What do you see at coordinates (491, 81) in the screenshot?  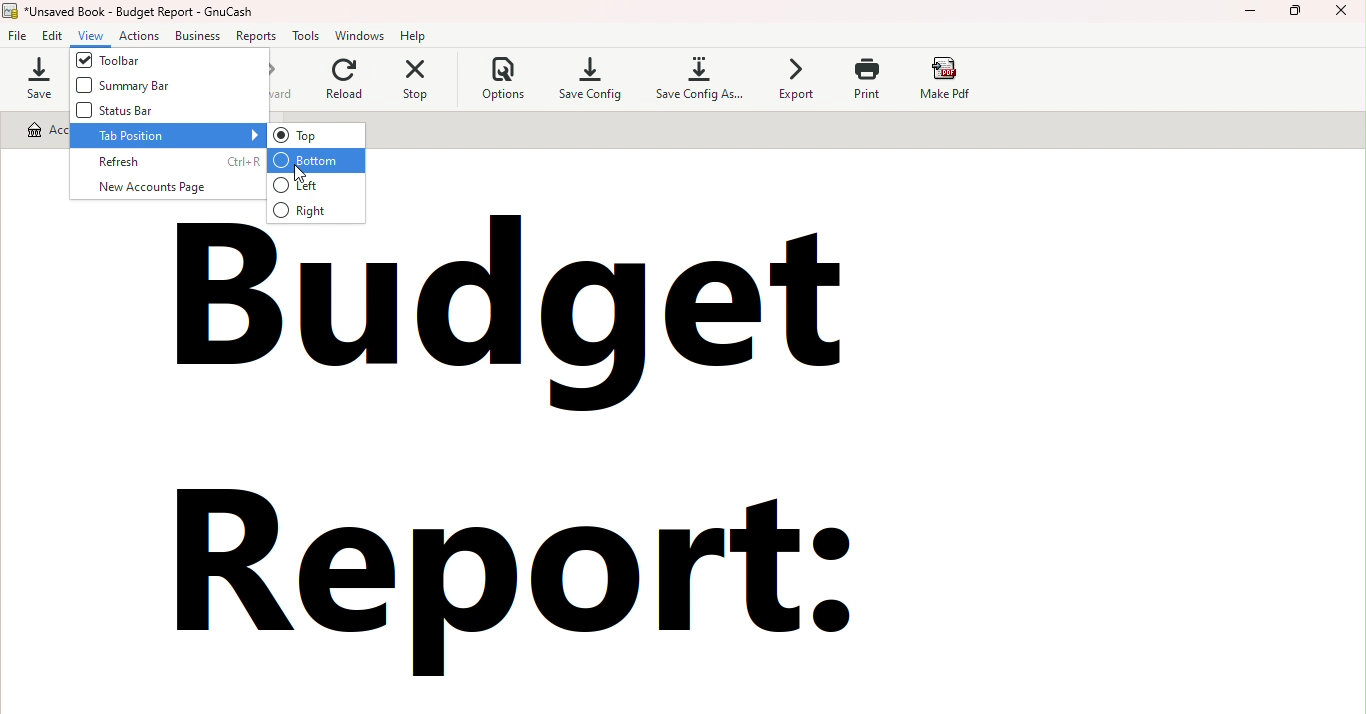 I see `Options` at bounding box center [491, 81].